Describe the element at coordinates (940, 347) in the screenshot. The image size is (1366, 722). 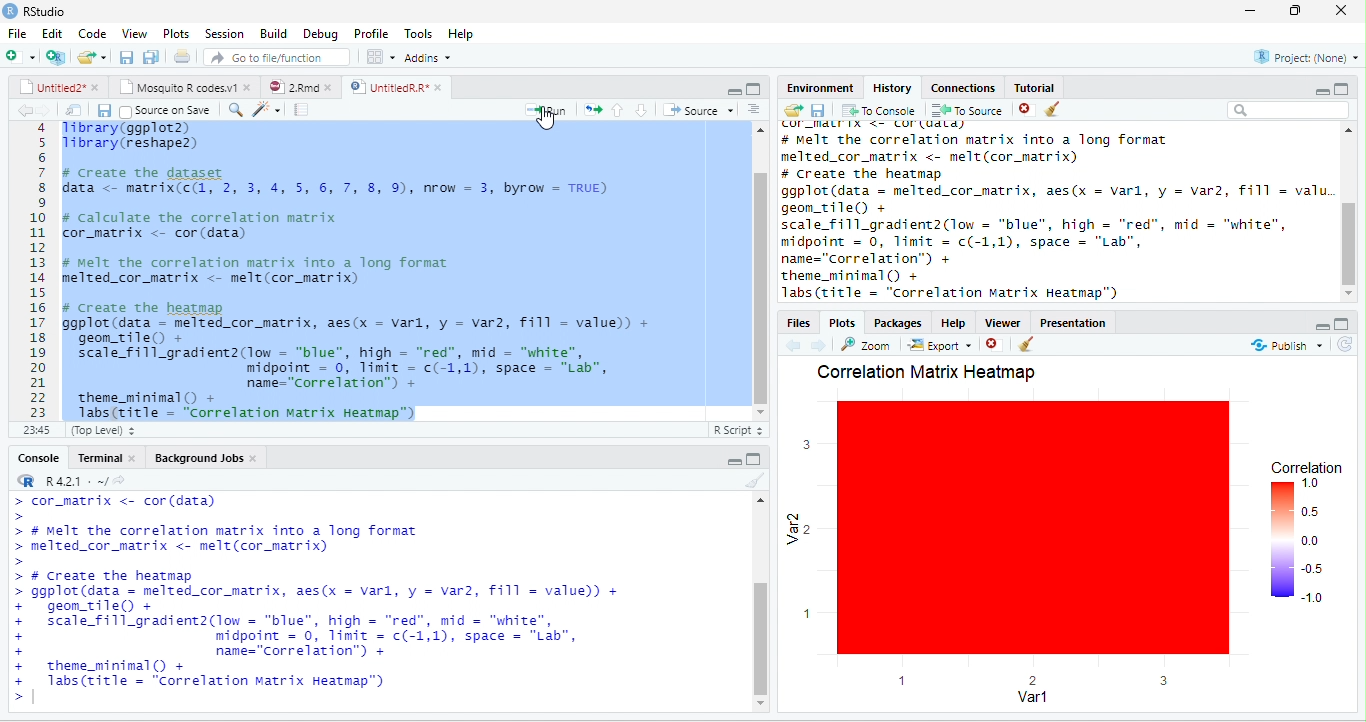
I see `export` at that location.